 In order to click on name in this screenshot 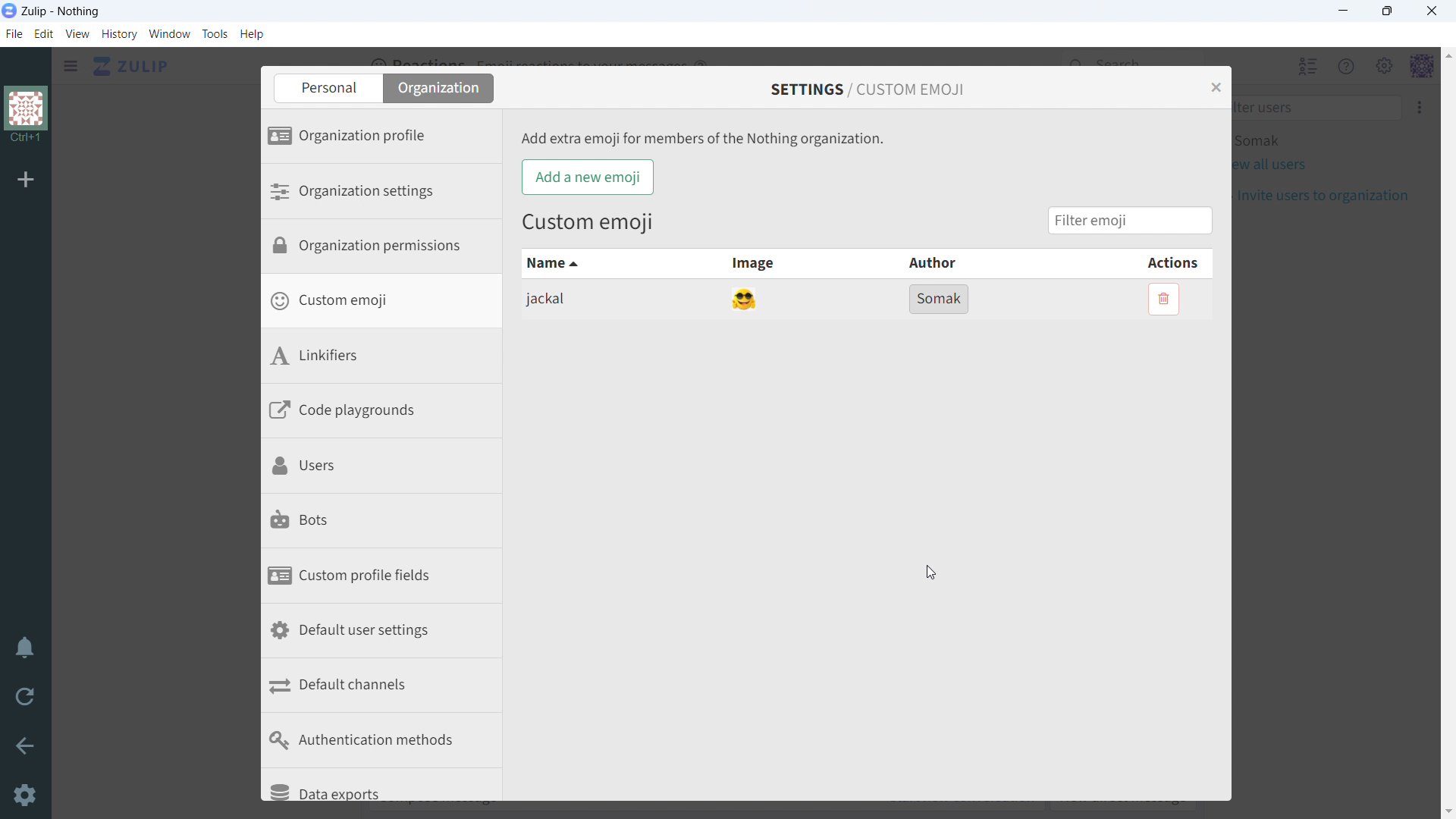, I will do `click(600, 265)`.